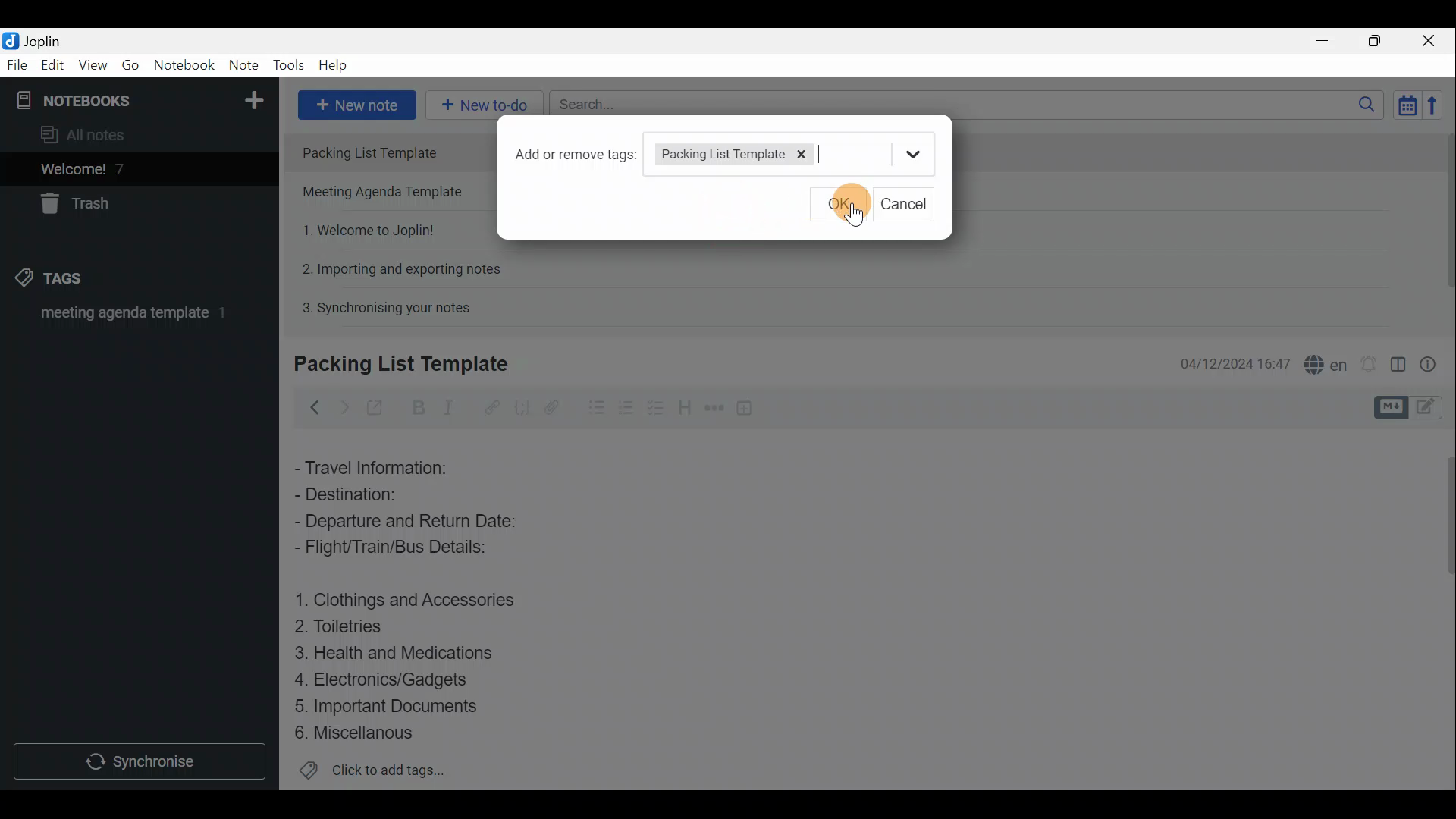 This screenshot has width=1456, height=819. What do you see at coordinates (116, 168) in the screenshot?
I see `Welcome` at bounding box center [116, 168].